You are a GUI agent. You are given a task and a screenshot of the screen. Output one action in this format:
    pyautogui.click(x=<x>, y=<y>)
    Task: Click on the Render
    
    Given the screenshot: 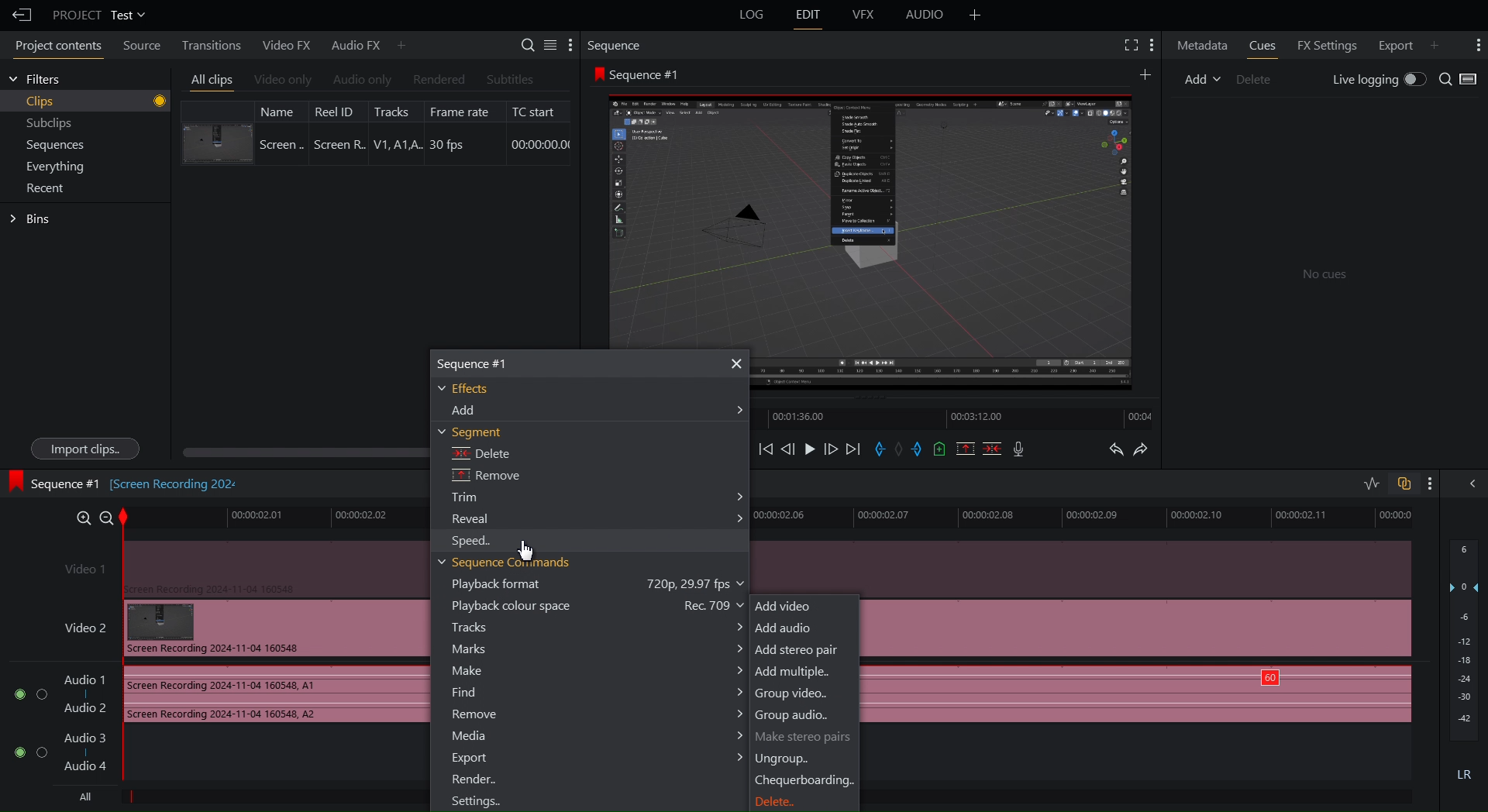 What is the action you would take?
    pyautogui.click(x=474, y=779)
    